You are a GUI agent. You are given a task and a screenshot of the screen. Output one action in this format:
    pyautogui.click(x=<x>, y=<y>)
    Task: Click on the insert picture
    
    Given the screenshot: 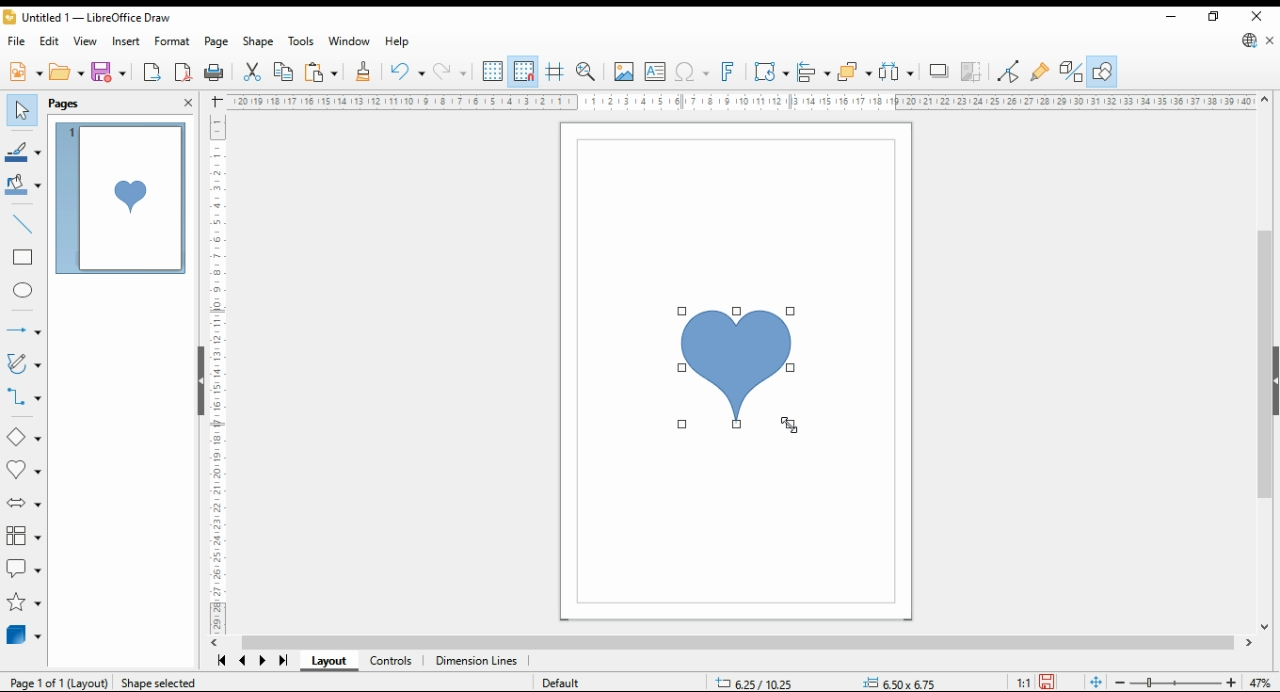 What is the action you would take?
    pyautogui.click(x=623, y=72)
    